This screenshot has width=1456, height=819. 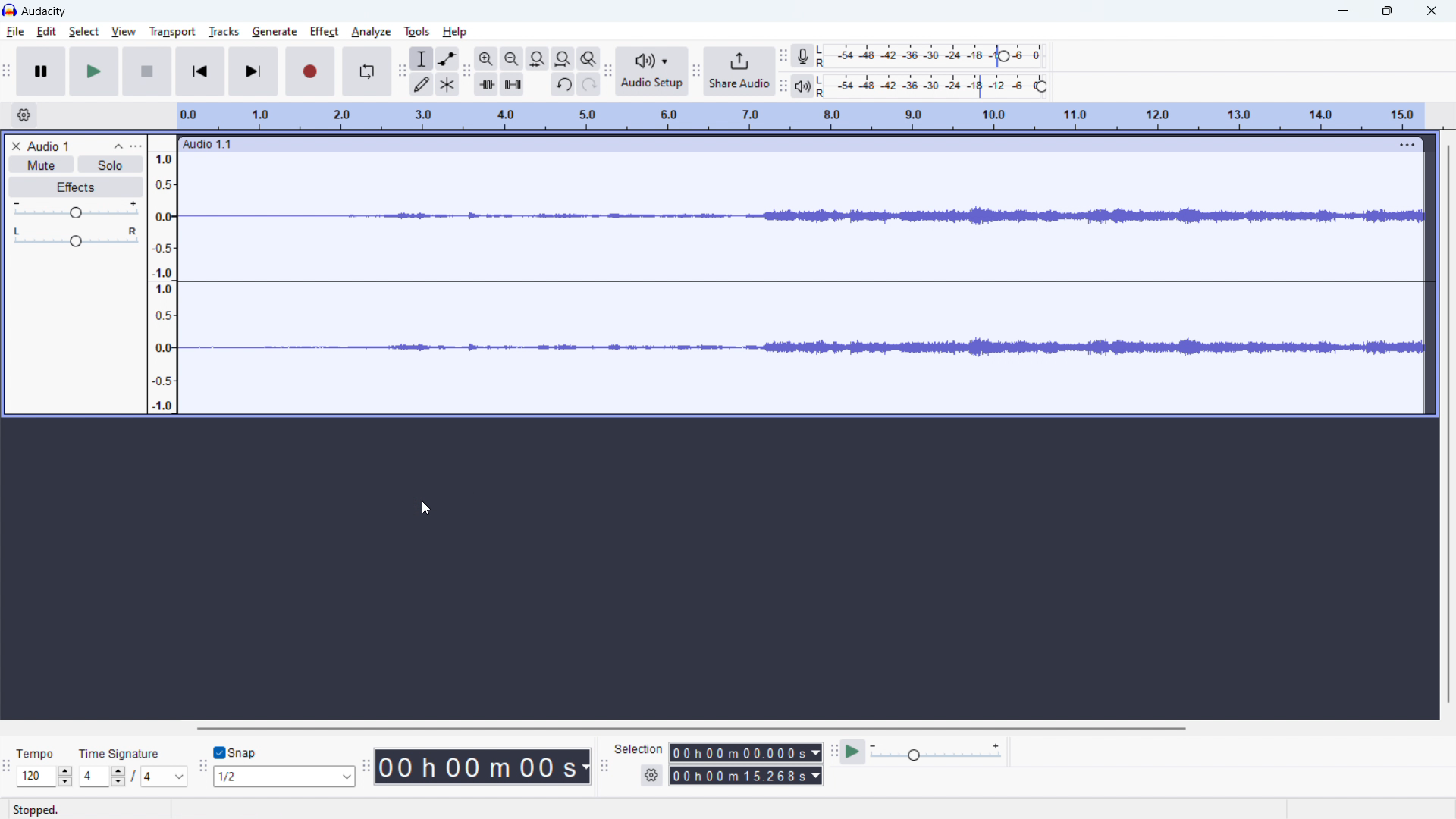 I want to click on view menu, so click(x=1404, y=144).